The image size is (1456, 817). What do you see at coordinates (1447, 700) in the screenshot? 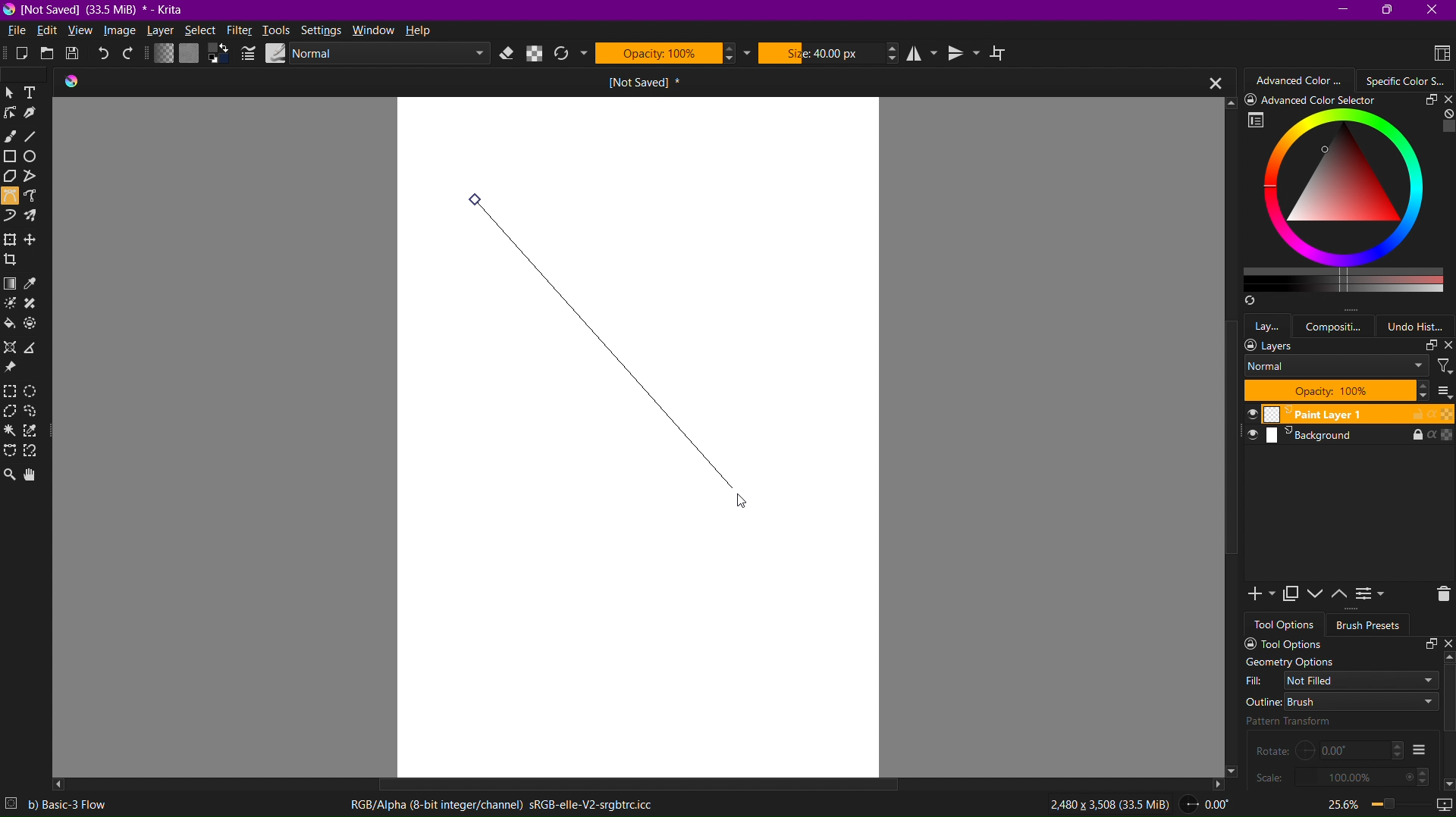
I see `Scrollbar` at bounding box center [1447, 700].